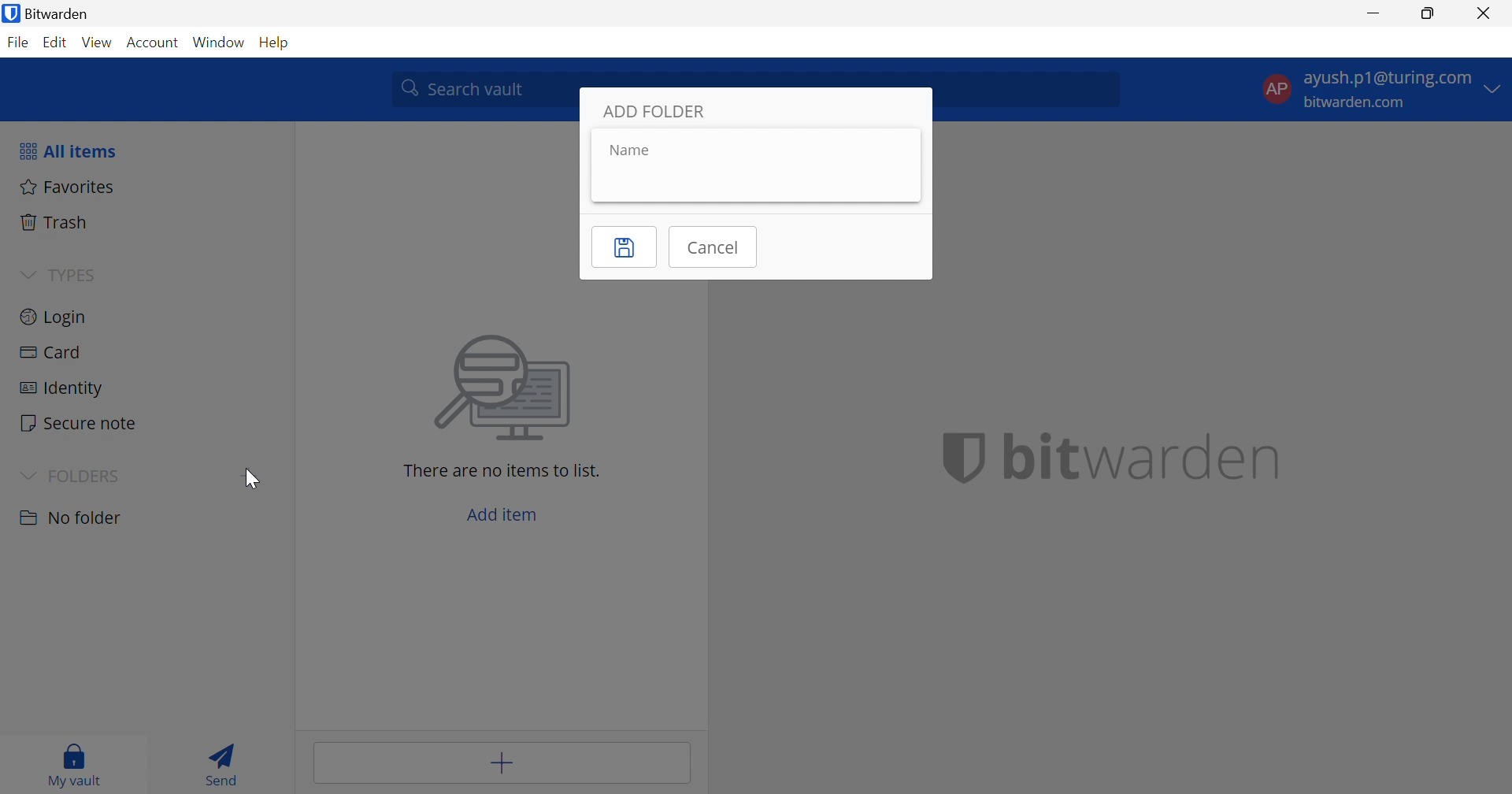  Describe the element at coordinates (1429, 13) in the screenshot. I see `Restore Down` at that location.